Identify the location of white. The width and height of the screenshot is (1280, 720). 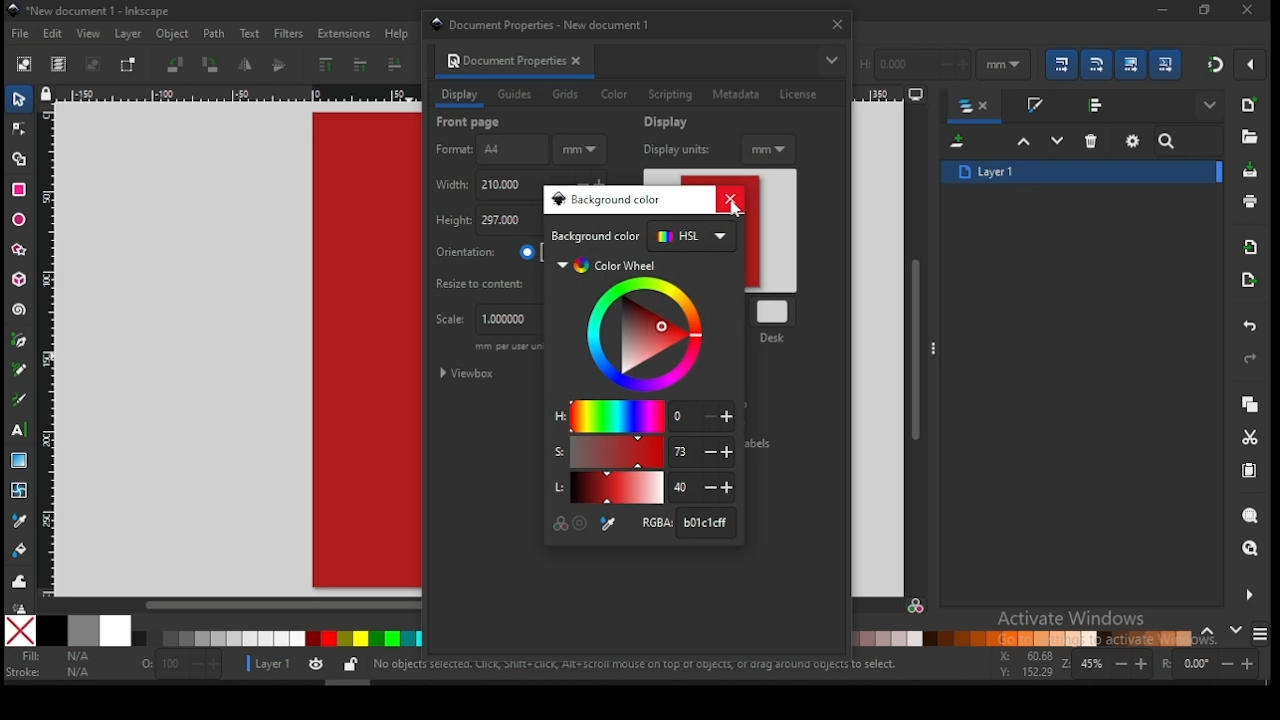
(115, 630).